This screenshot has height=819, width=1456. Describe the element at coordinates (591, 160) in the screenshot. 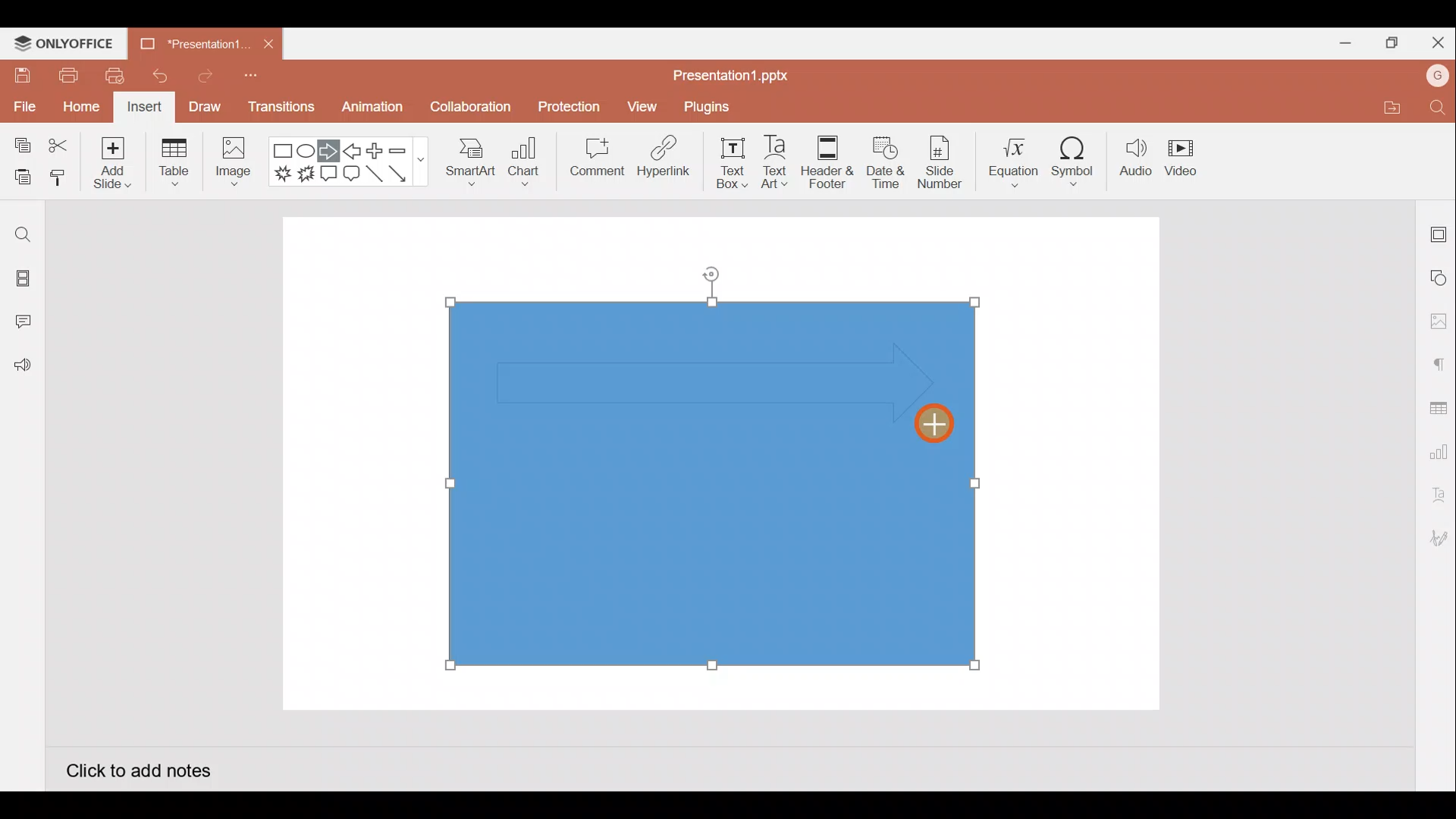

I see `Comment` at that location.